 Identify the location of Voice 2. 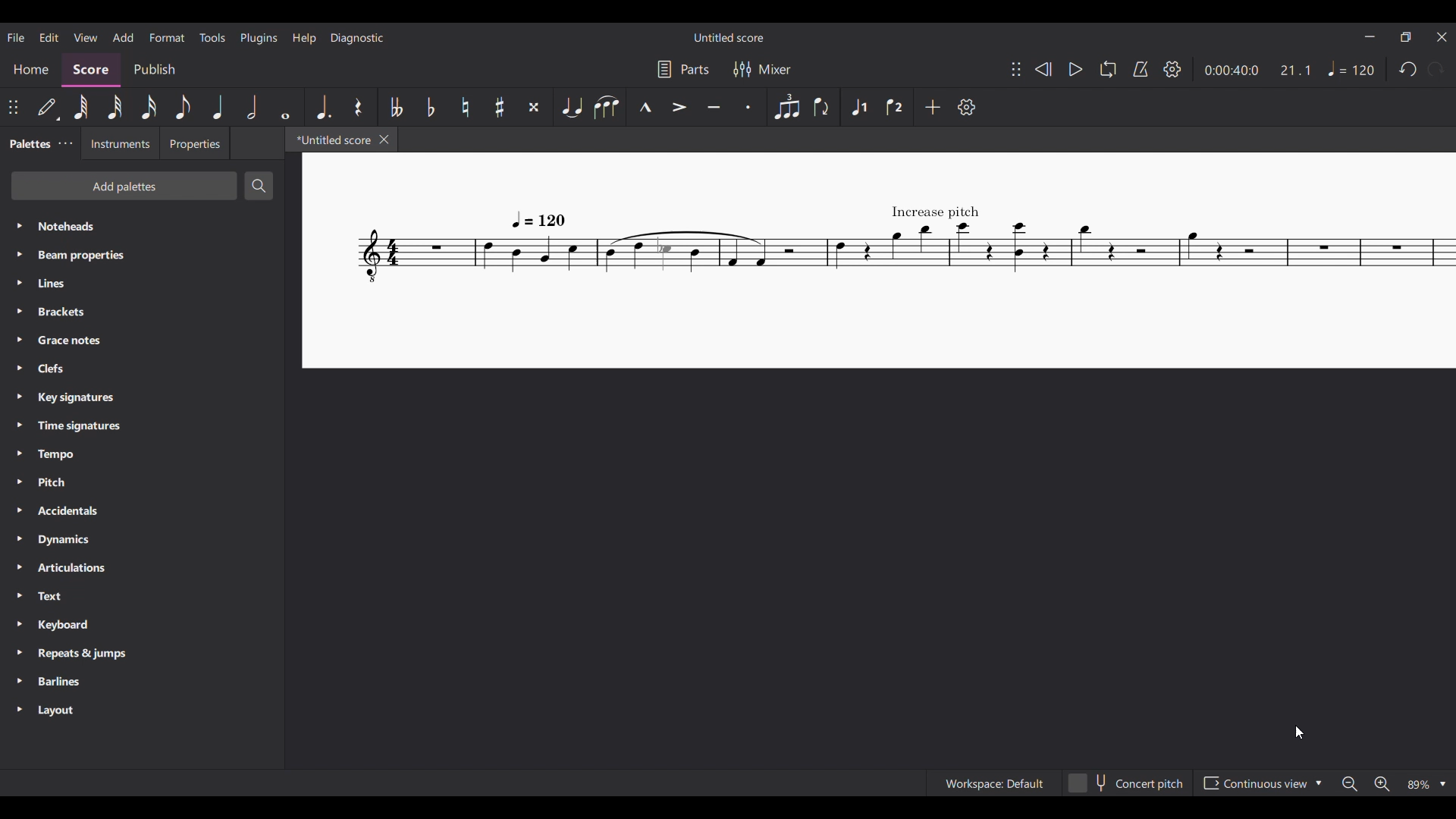
(894, 107).